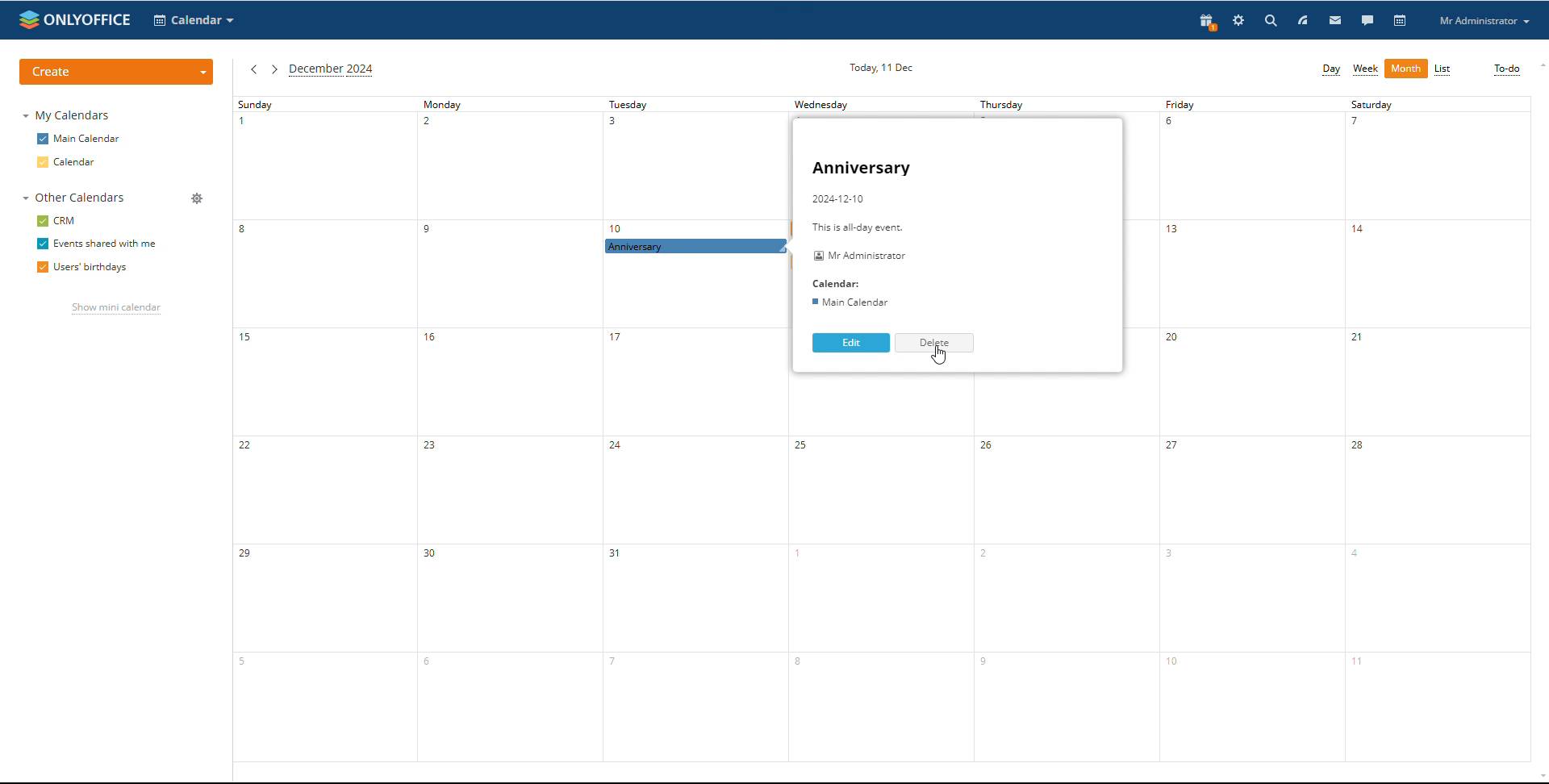 This screenshot has height=784, width=1549. I want to click on create, so click(116, 72).